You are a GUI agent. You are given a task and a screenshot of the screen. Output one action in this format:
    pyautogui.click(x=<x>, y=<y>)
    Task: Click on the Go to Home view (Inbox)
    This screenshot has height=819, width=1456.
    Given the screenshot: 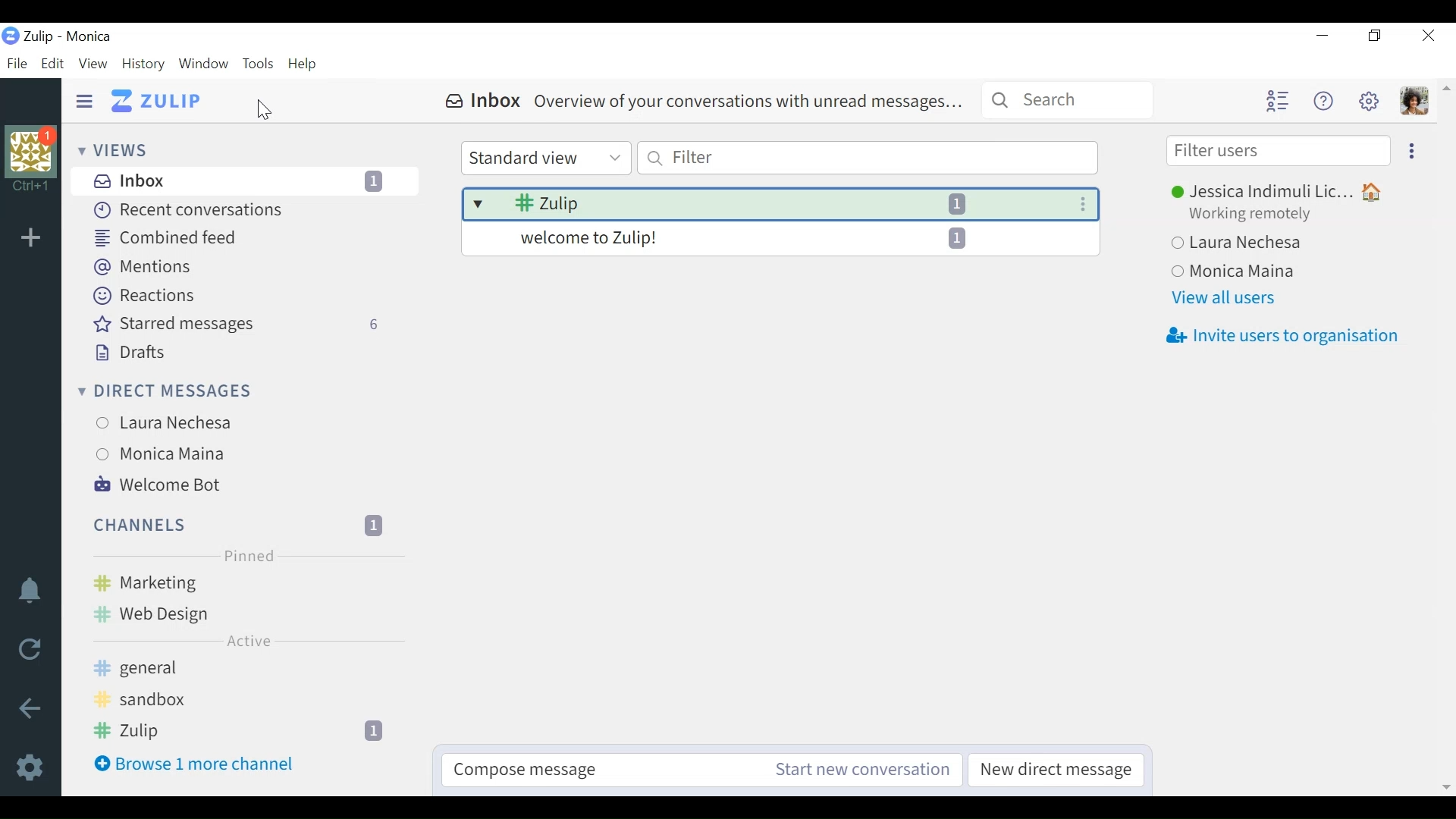 What is the action you would take?
    pyautogui.click(x=156, y=100)
    